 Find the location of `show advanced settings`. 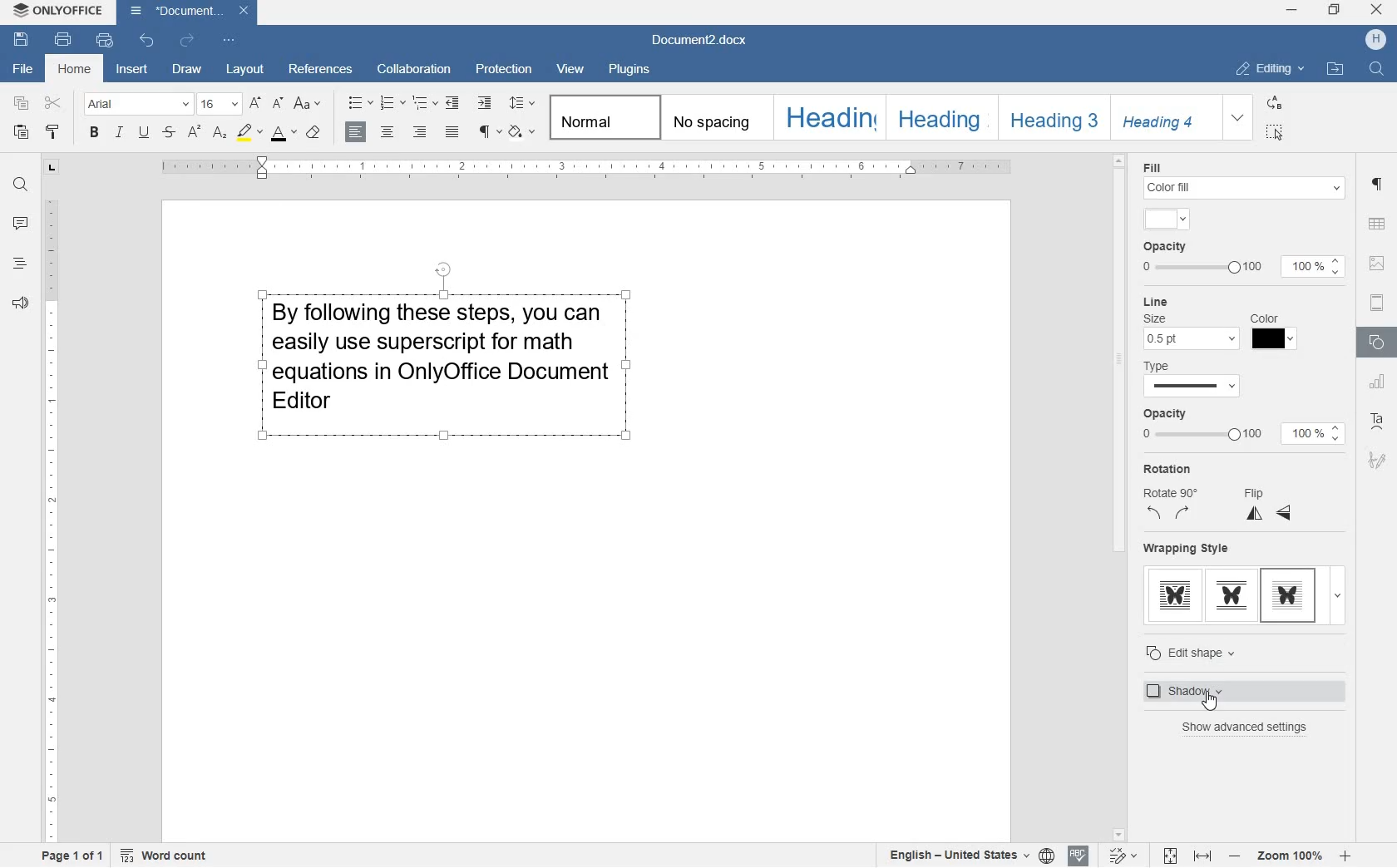

show advanced settings is located at coordinates (1250, 729).